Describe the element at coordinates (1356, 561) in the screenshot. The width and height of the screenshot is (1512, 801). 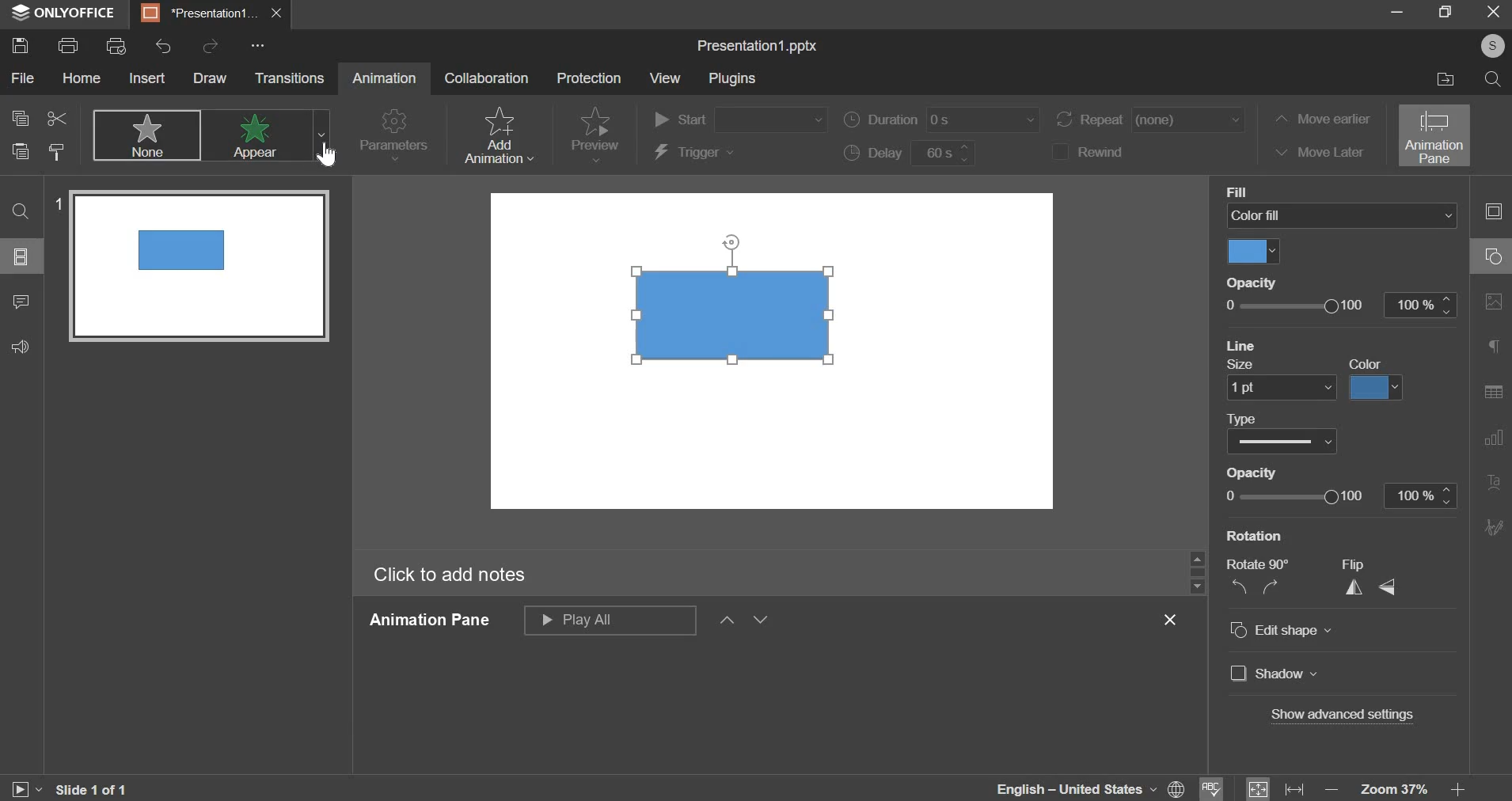
I see `flip` at that location.